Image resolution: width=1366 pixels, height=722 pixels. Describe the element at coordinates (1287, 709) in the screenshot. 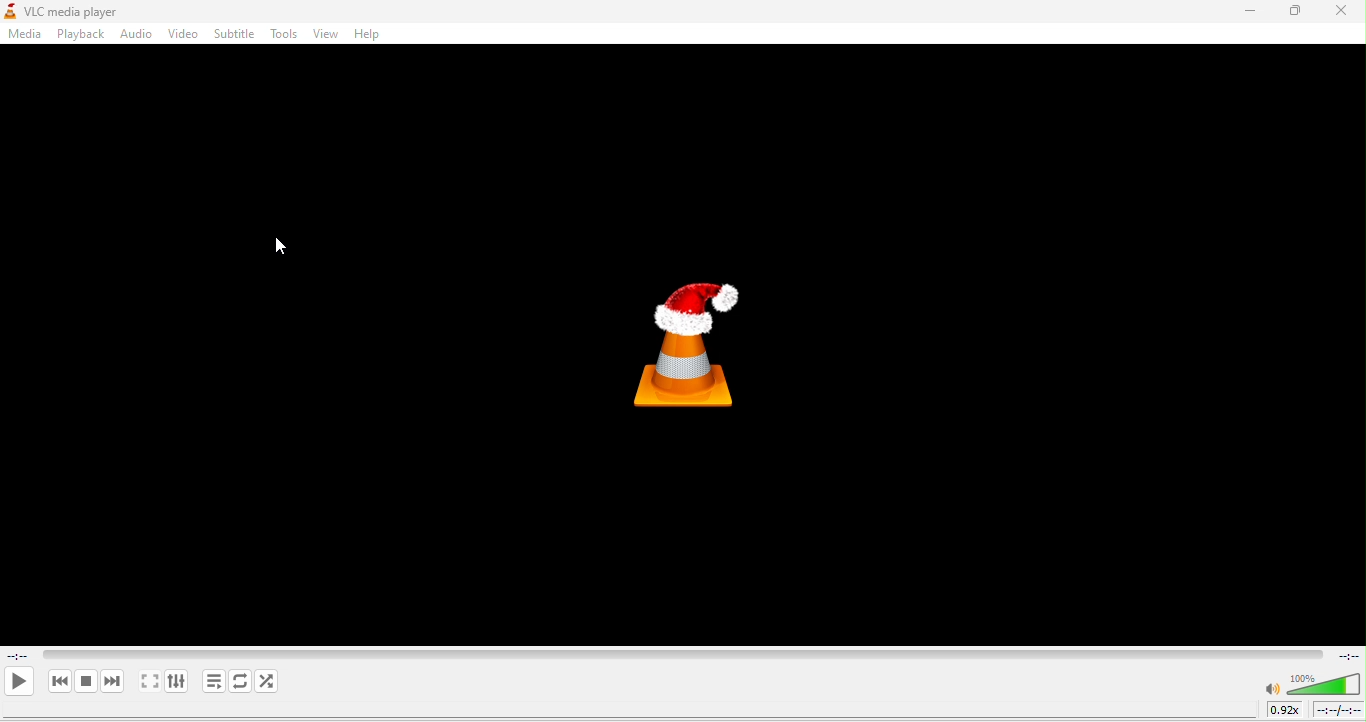

I see `0.92x` at that location.